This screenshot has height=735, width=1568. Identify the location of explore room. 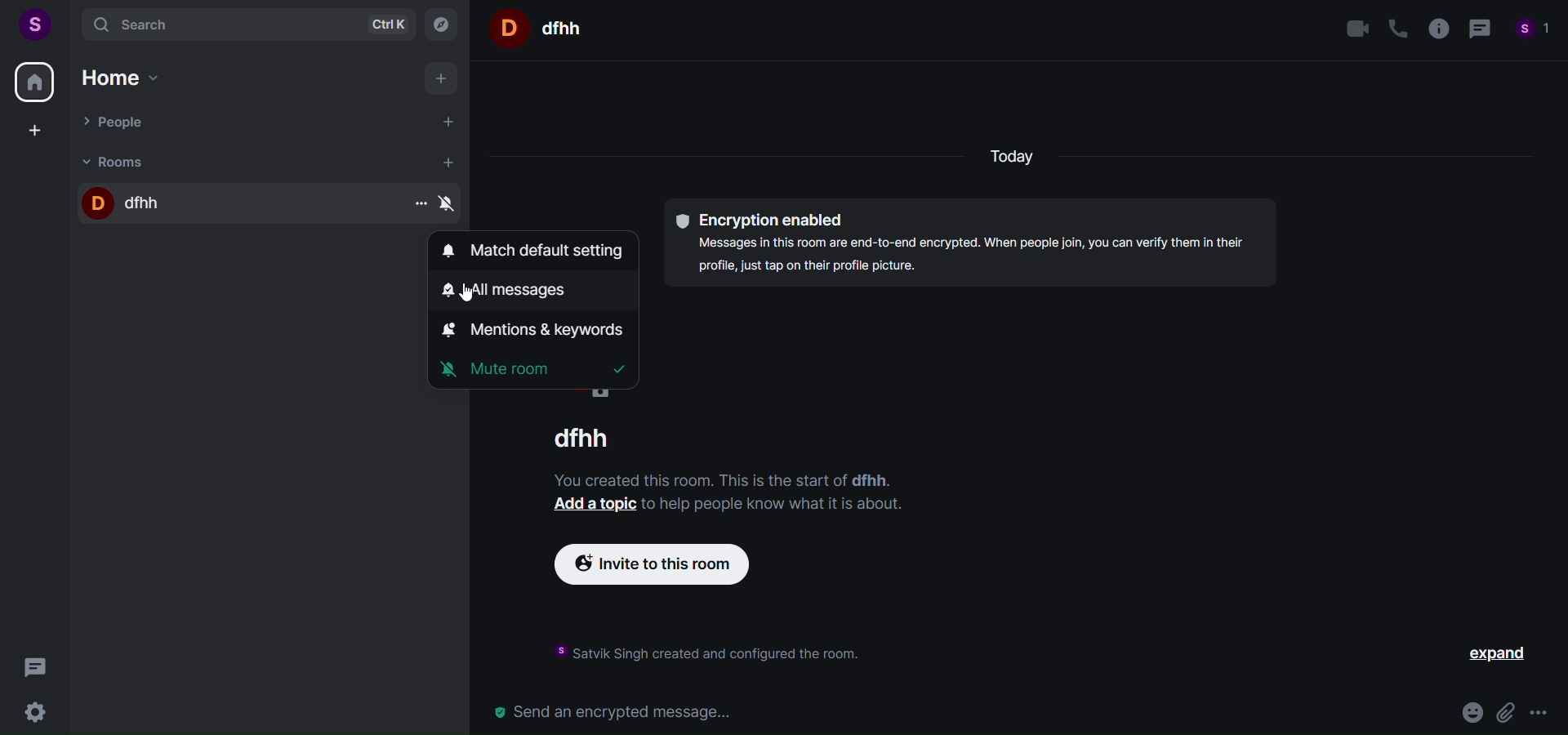
(442, 24).